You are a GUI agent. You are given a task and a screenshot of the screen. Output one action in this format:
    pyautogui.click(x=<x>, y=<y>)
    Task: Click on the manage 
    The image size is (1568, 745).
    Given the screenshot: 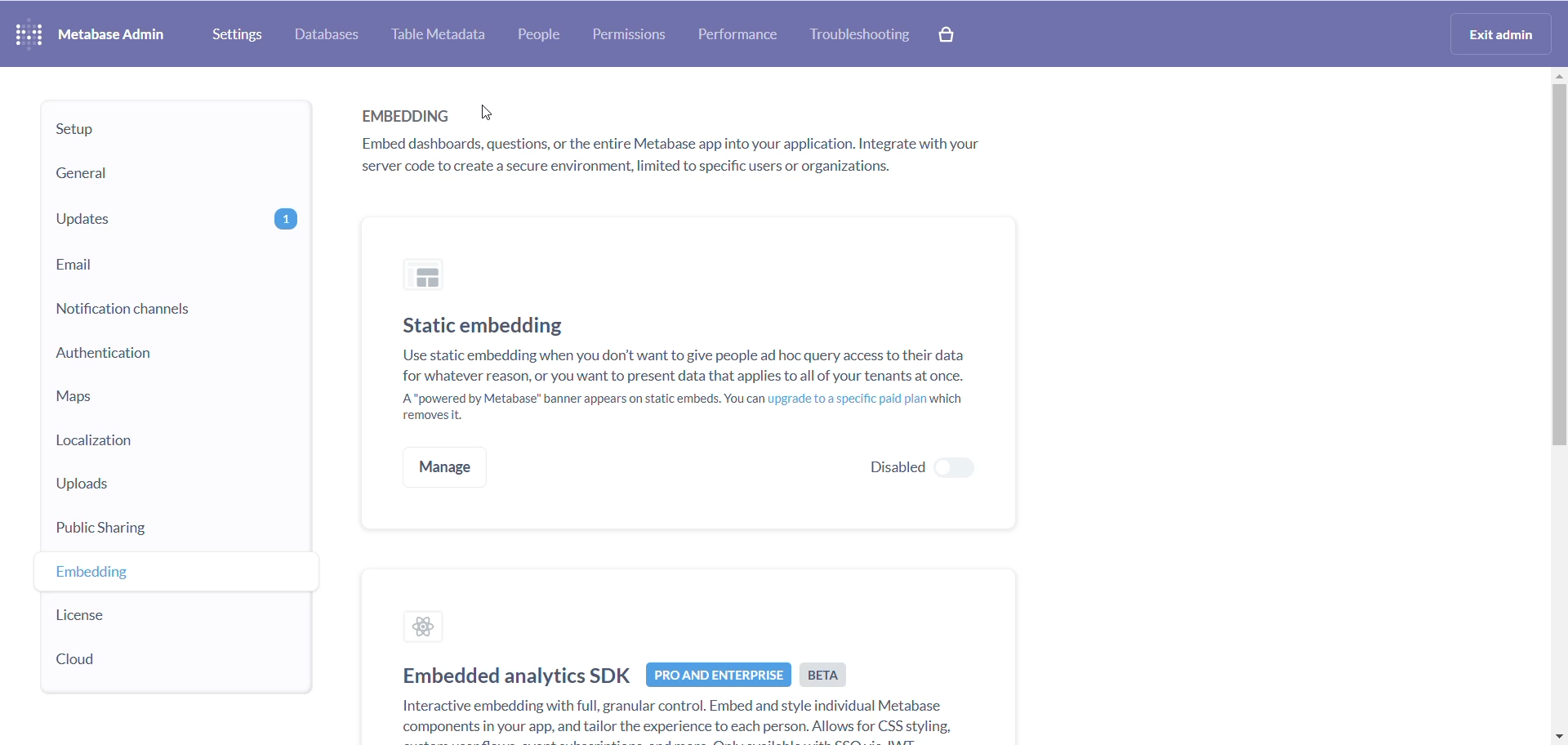 What is the action you would take?
    pyautogui.click(x=447, y=466)
    